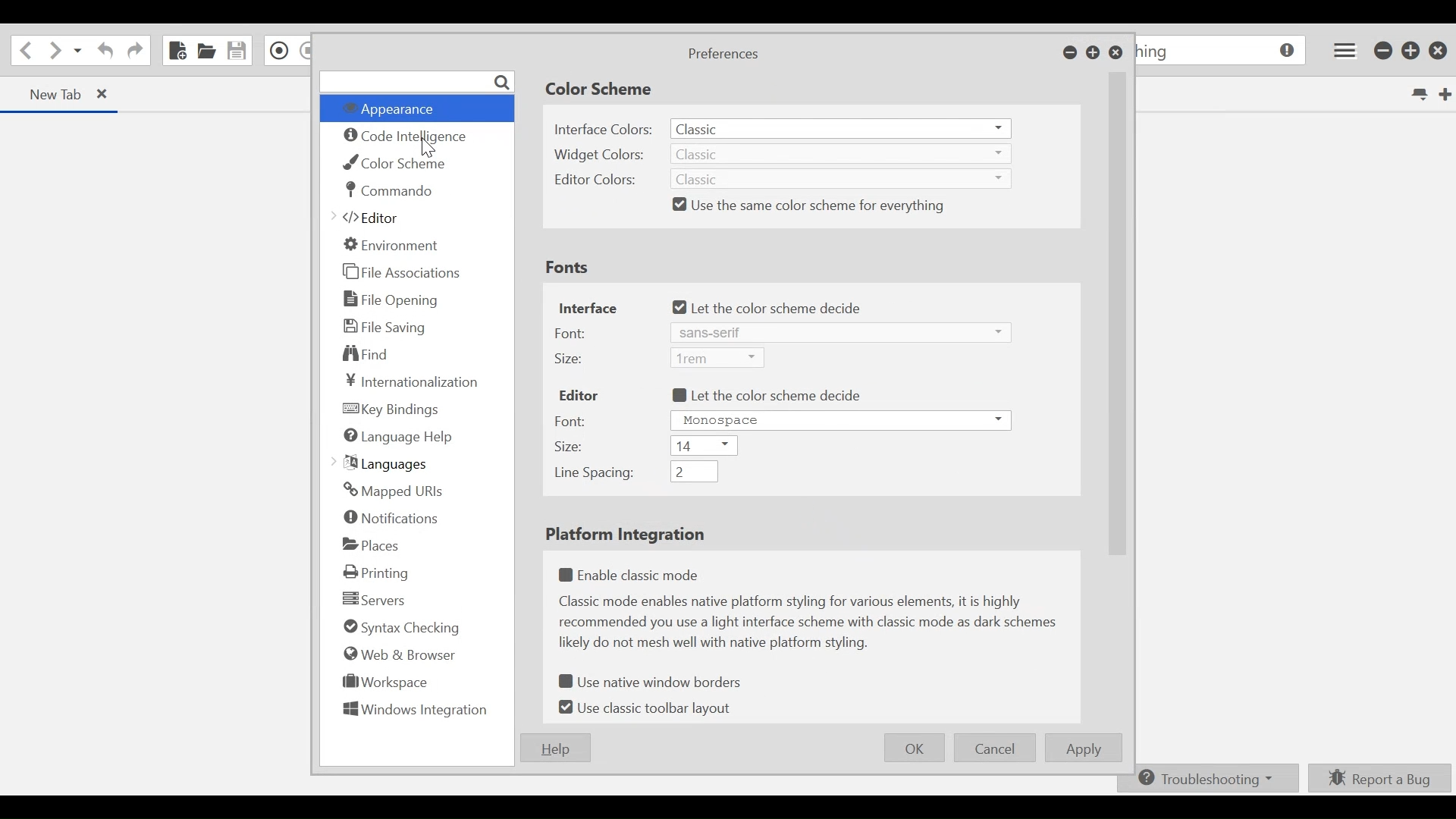 Image resolution: width=1456 pixels, height=819 pixels. What do you see at coordinates (384, 463) in the screenshot?
I see `Languages` at bounding box center [384, 463].